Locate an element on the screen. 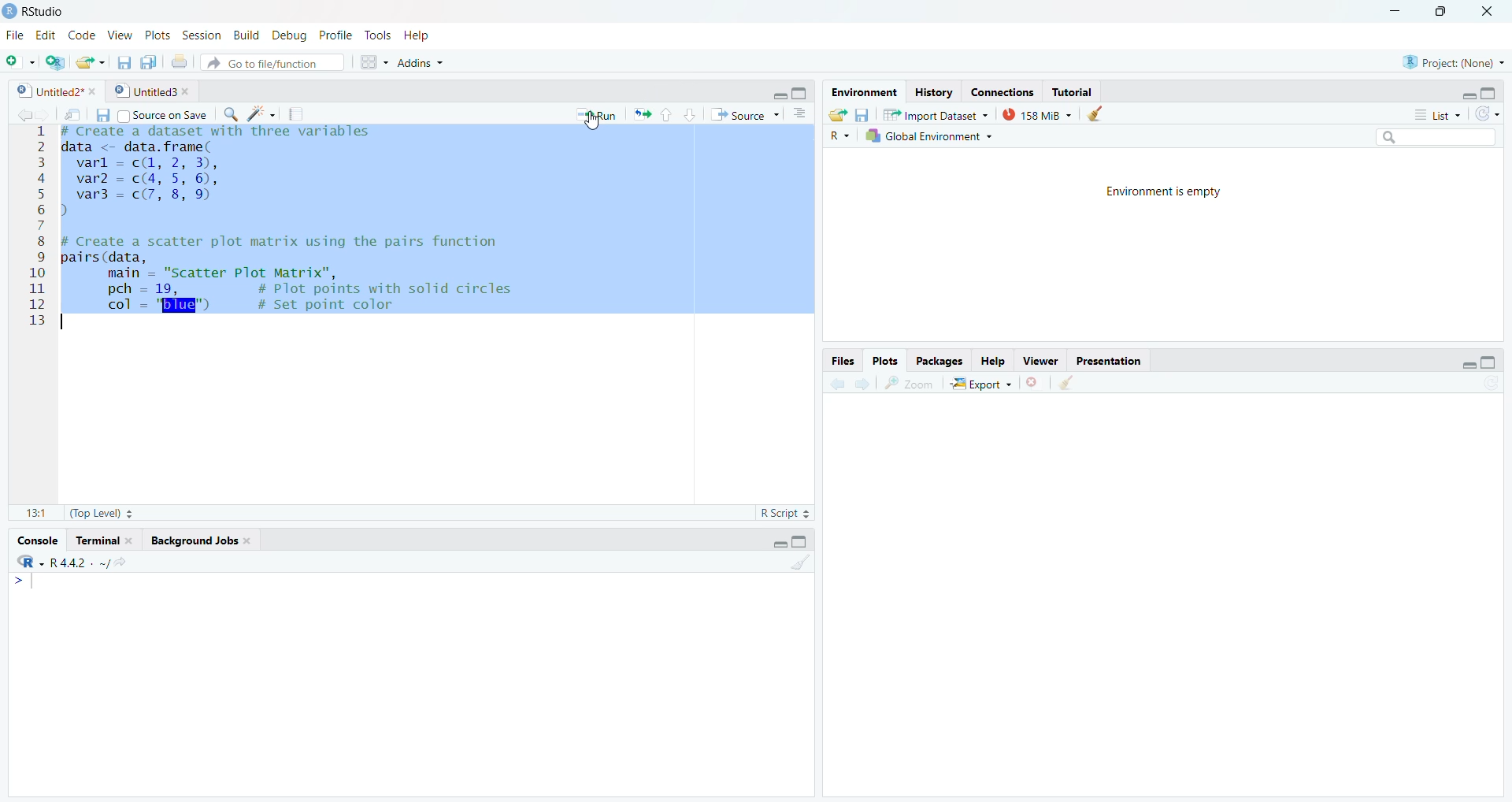  clear console is located at coordinates (799, 564).